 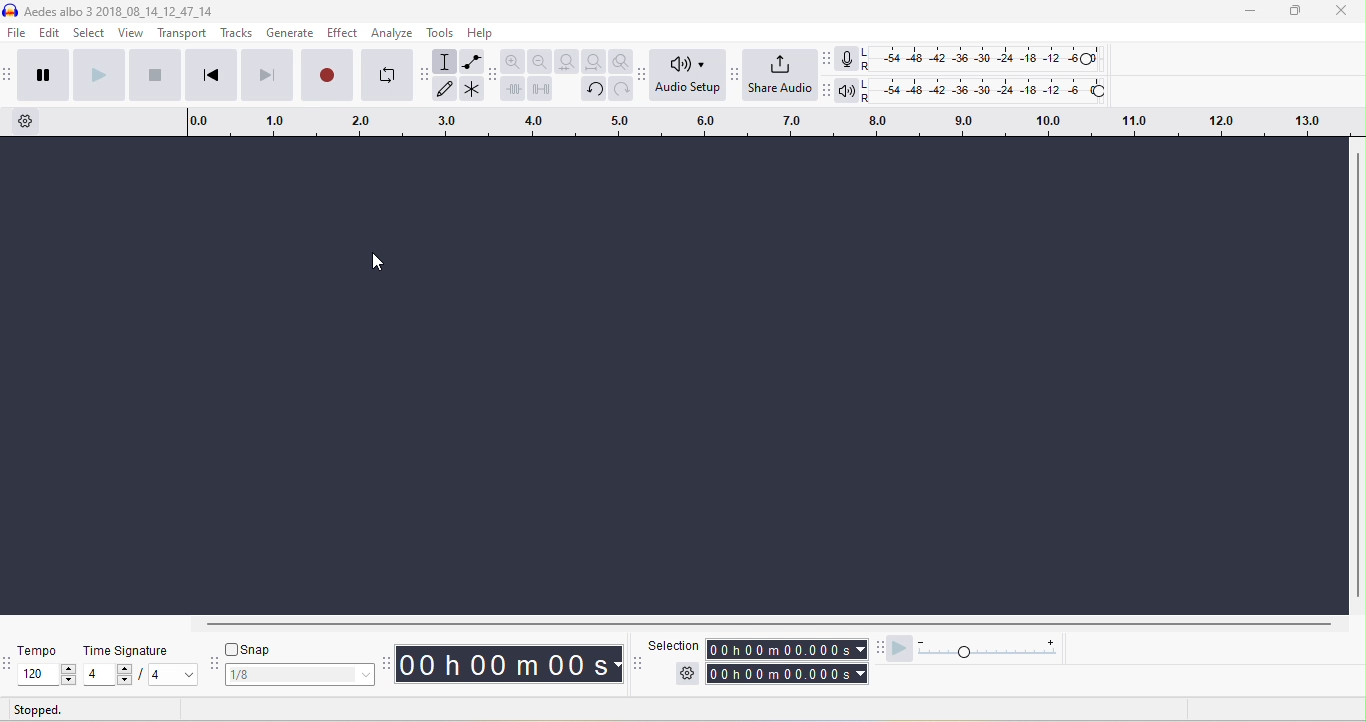 What do you see at coordinates (690, 75) in the screenshot?
I see `audio set up` at bounding box center [690, 75].